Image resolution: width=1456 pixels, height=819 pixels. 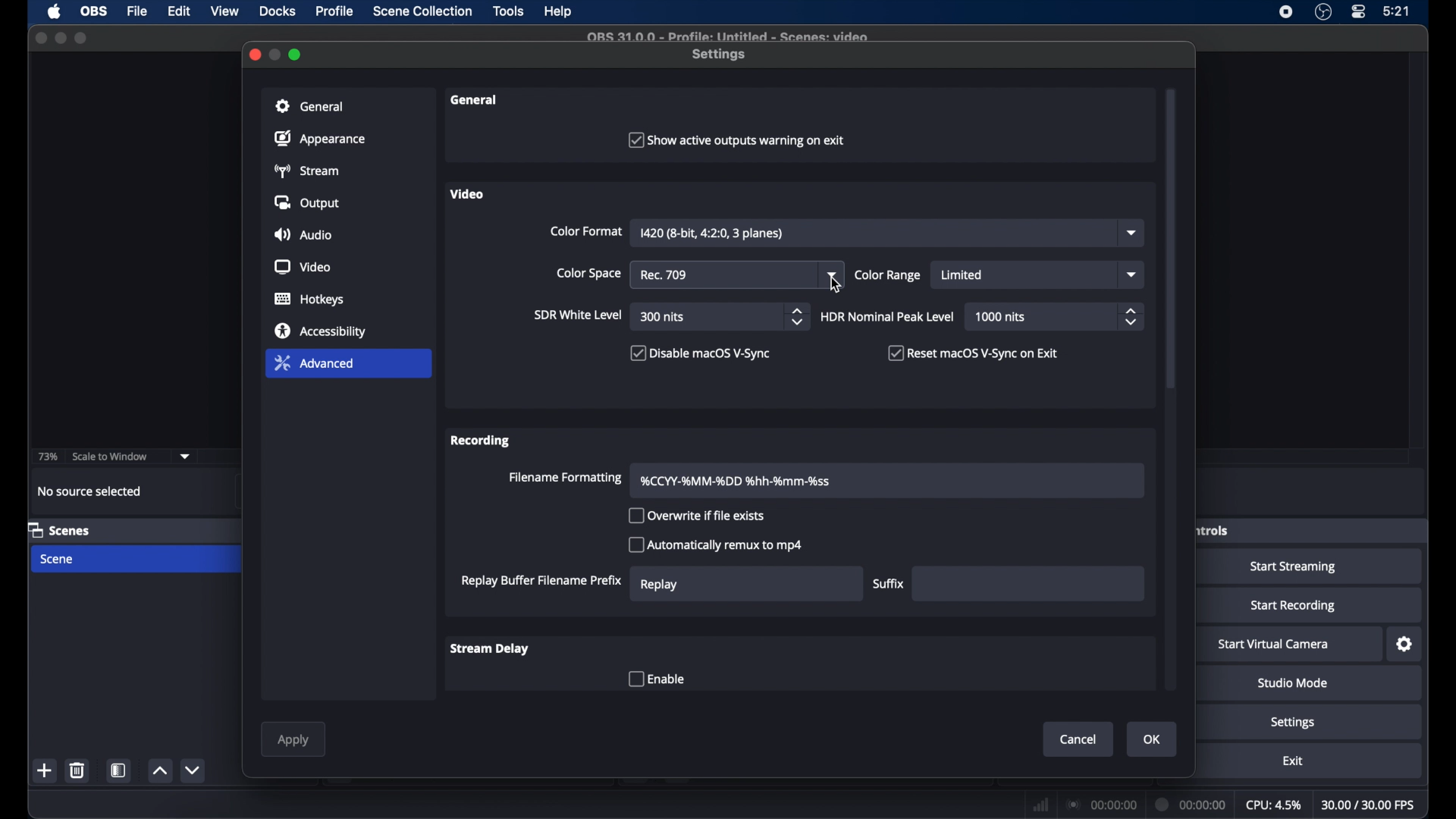 I want to click on dropdown, so click(x=833, y=275).